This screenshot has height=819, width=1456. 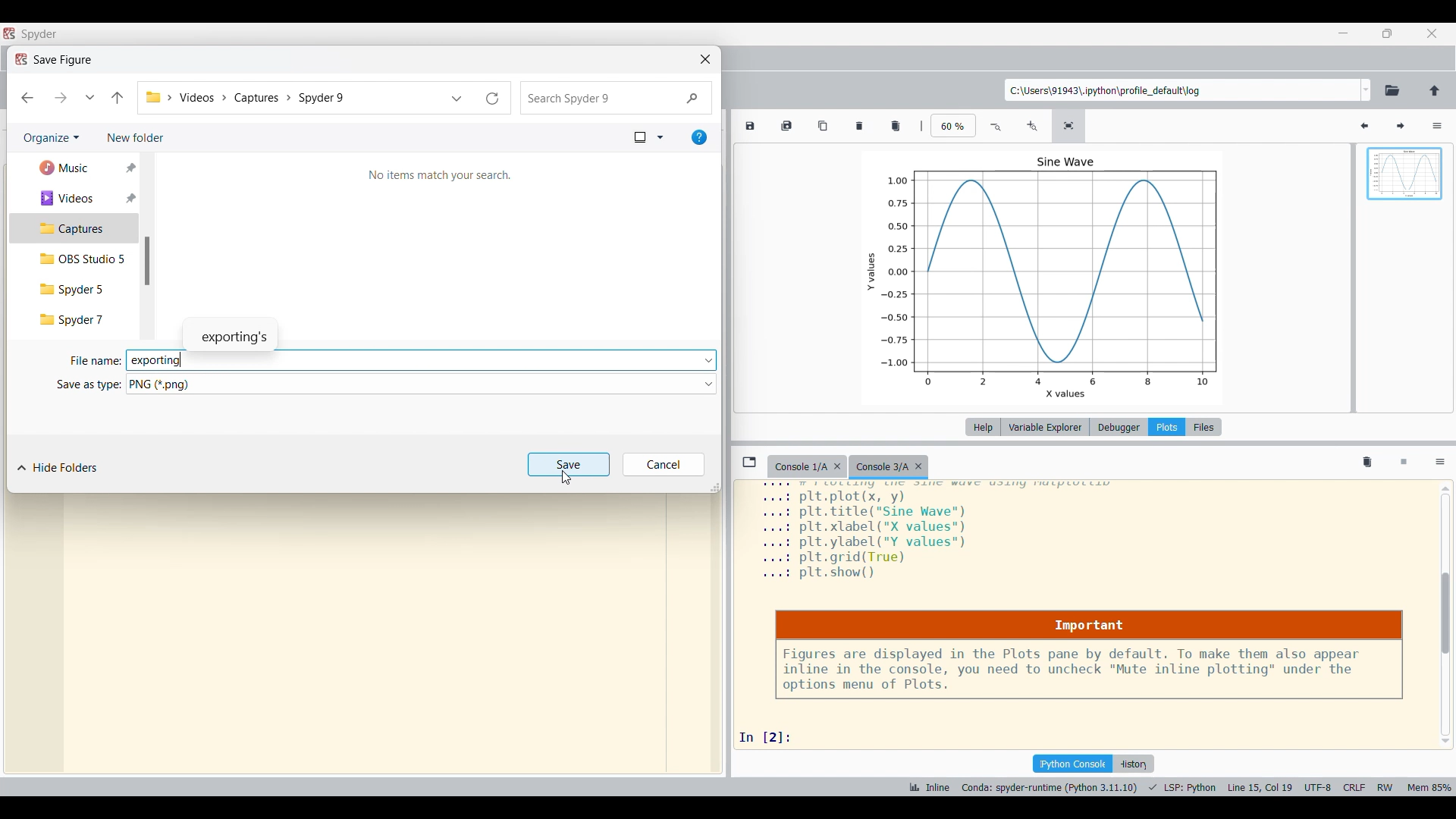 I want to click on PROGRAMMING LANGUAGE, so click(x=1183, y=787).